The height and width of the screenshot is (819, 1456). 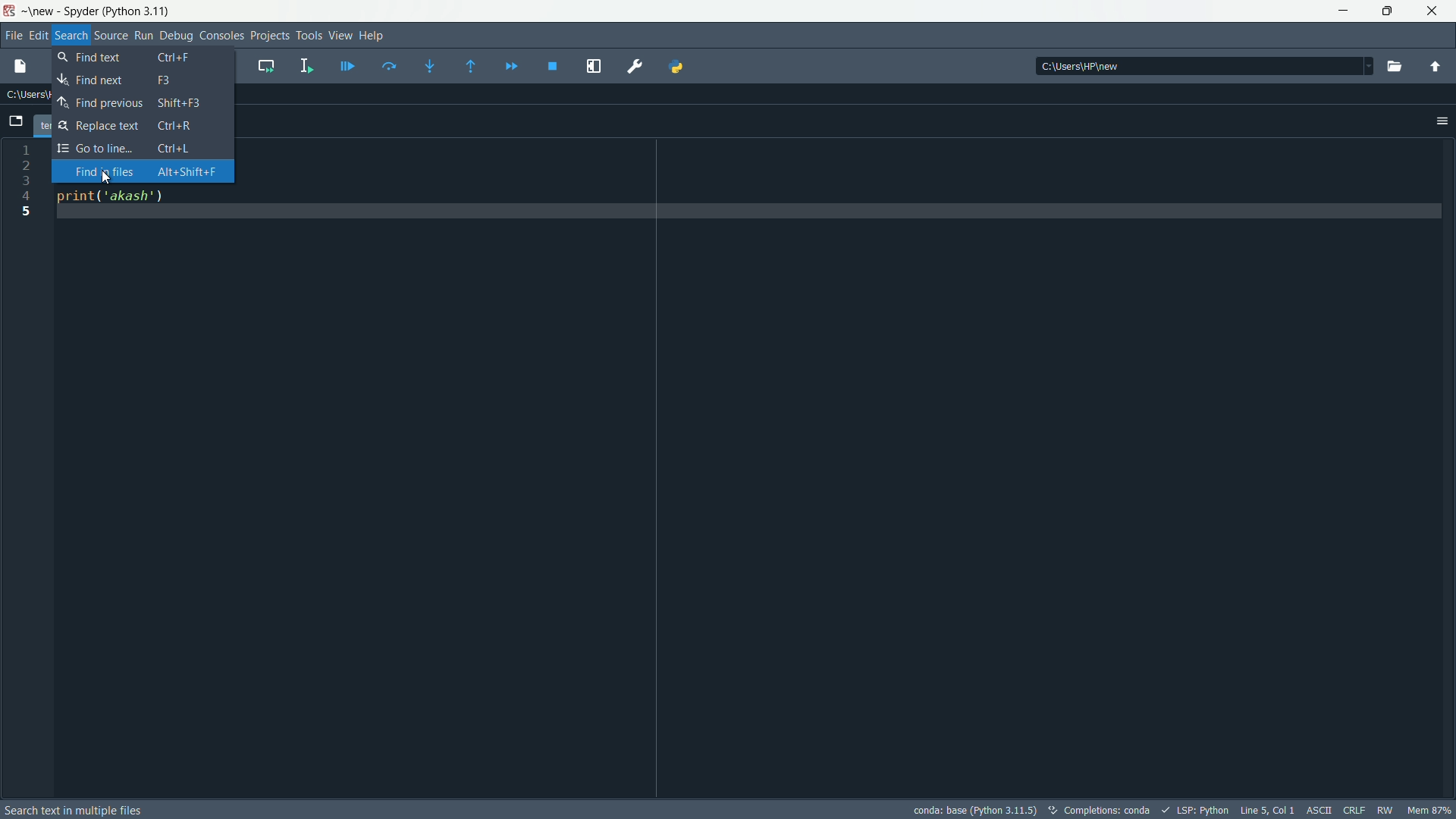 What do you see at coordinates (1386, 809) in the screenshot?
I see `rw` at bounding box center [1386, 809].